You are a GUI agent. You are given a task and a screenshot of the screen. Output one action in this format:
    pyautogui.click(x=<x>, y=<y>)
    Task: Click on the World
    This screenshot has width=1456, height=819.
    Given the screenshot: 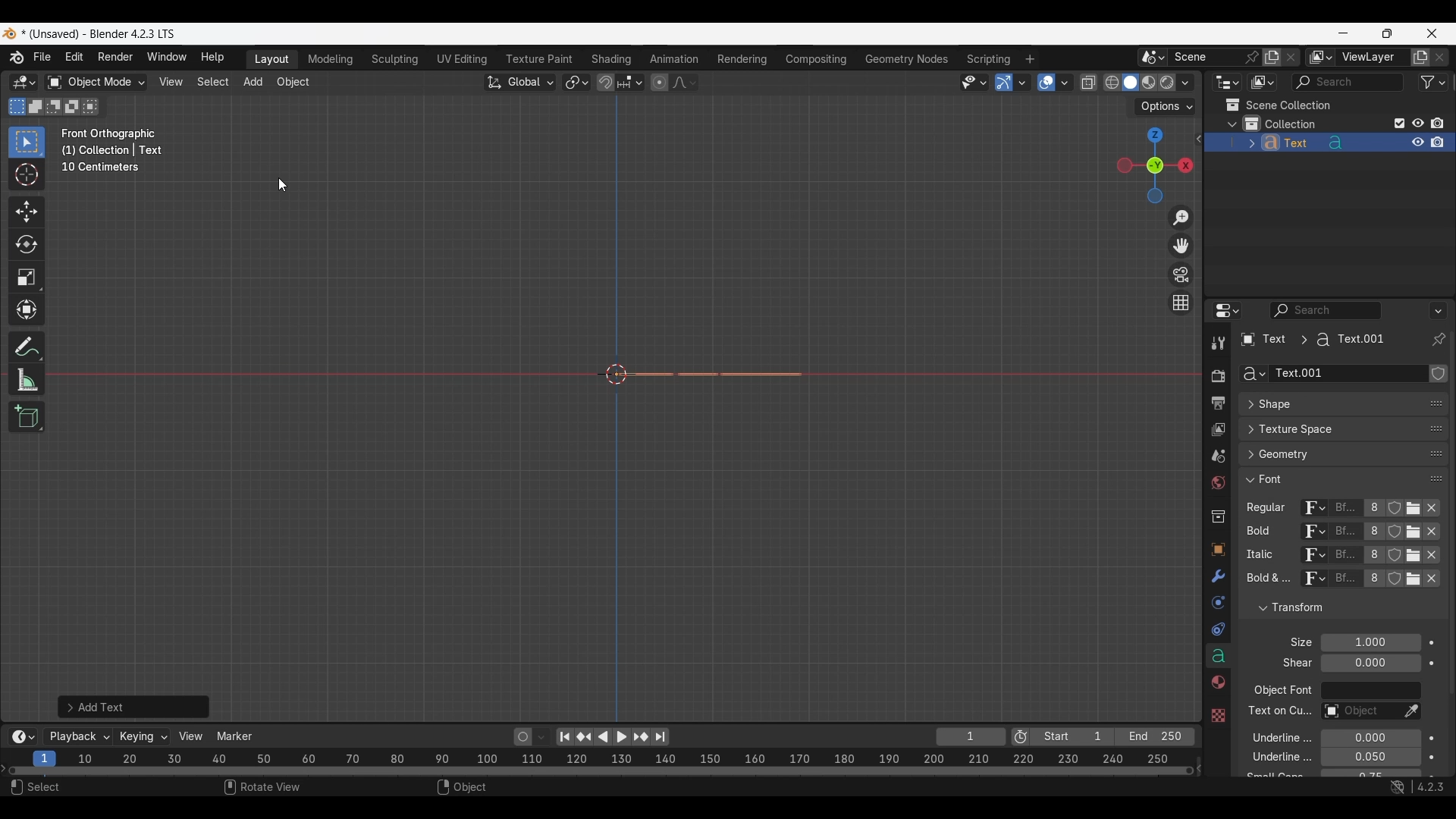 What is the action you would take?
    pyautogui.click(x=1217, y=484)
    